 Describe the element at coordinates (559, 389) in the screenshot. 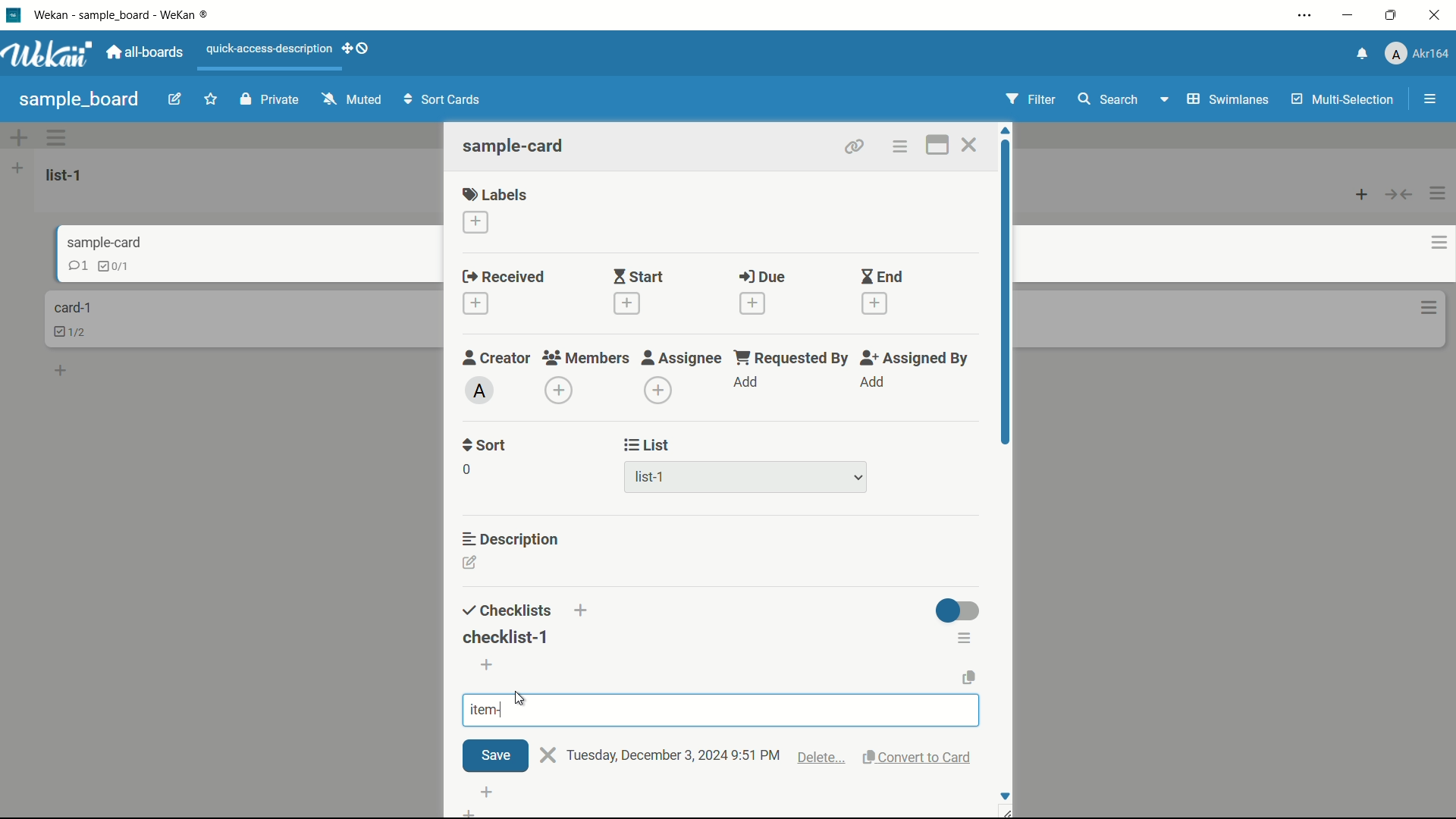

I see `add members` at that location.